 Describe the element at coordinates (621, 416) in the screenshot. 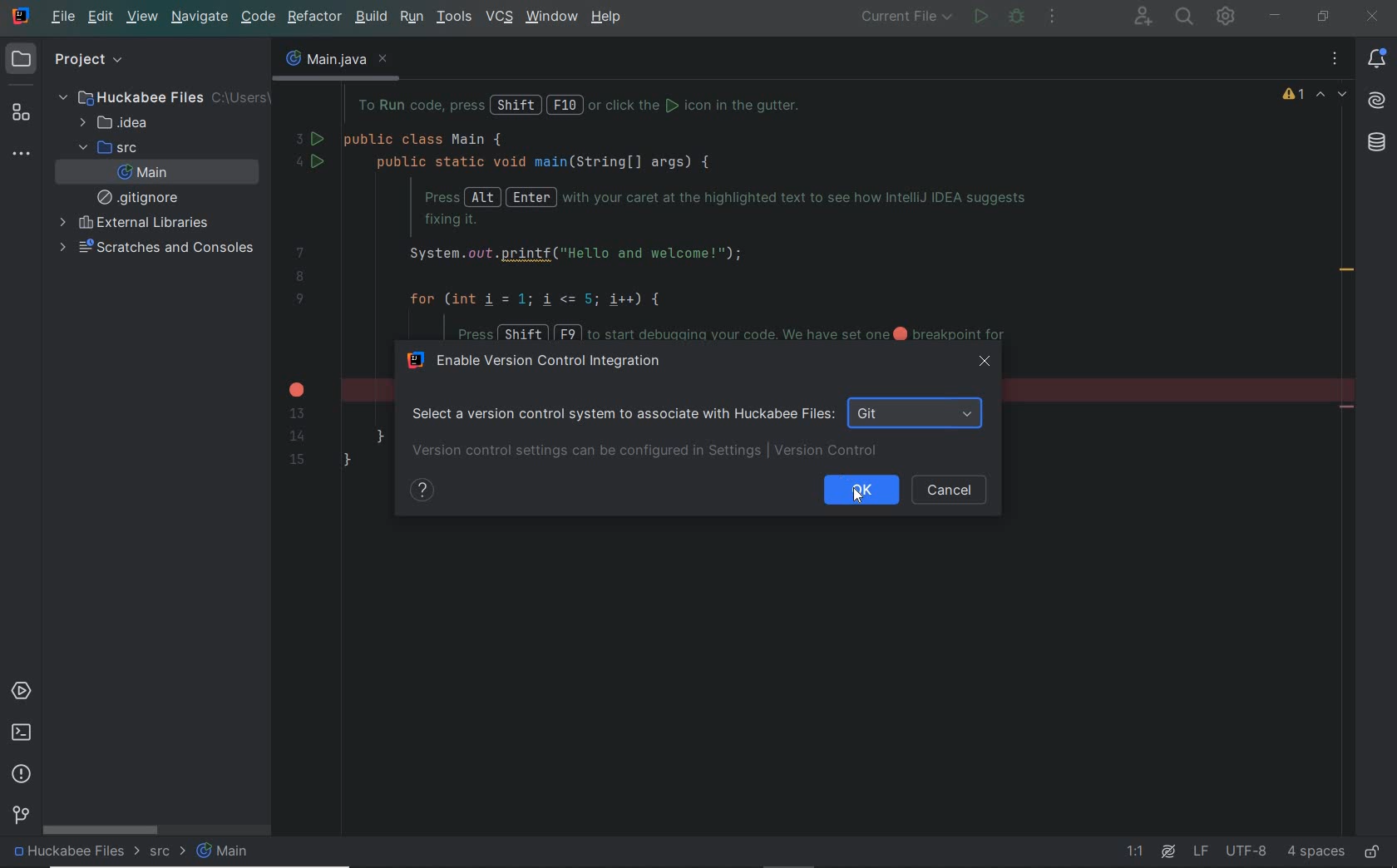

I see `select a version control system to associated with Huckabee Files` at that location.